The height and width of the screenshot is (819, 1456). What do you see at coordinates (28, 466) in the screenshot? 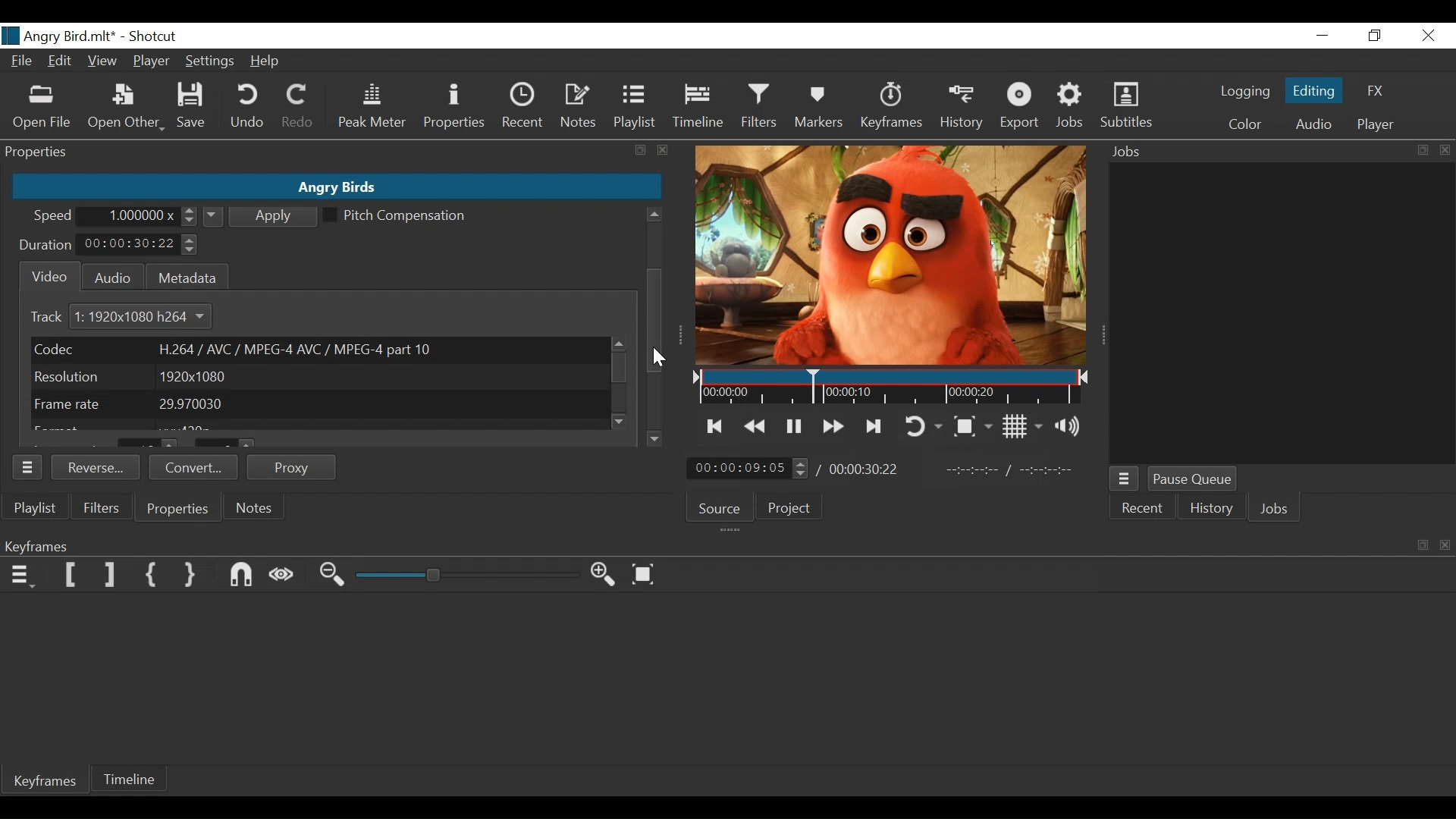
I see `Properties Panel` at bounding box center [28, 466].